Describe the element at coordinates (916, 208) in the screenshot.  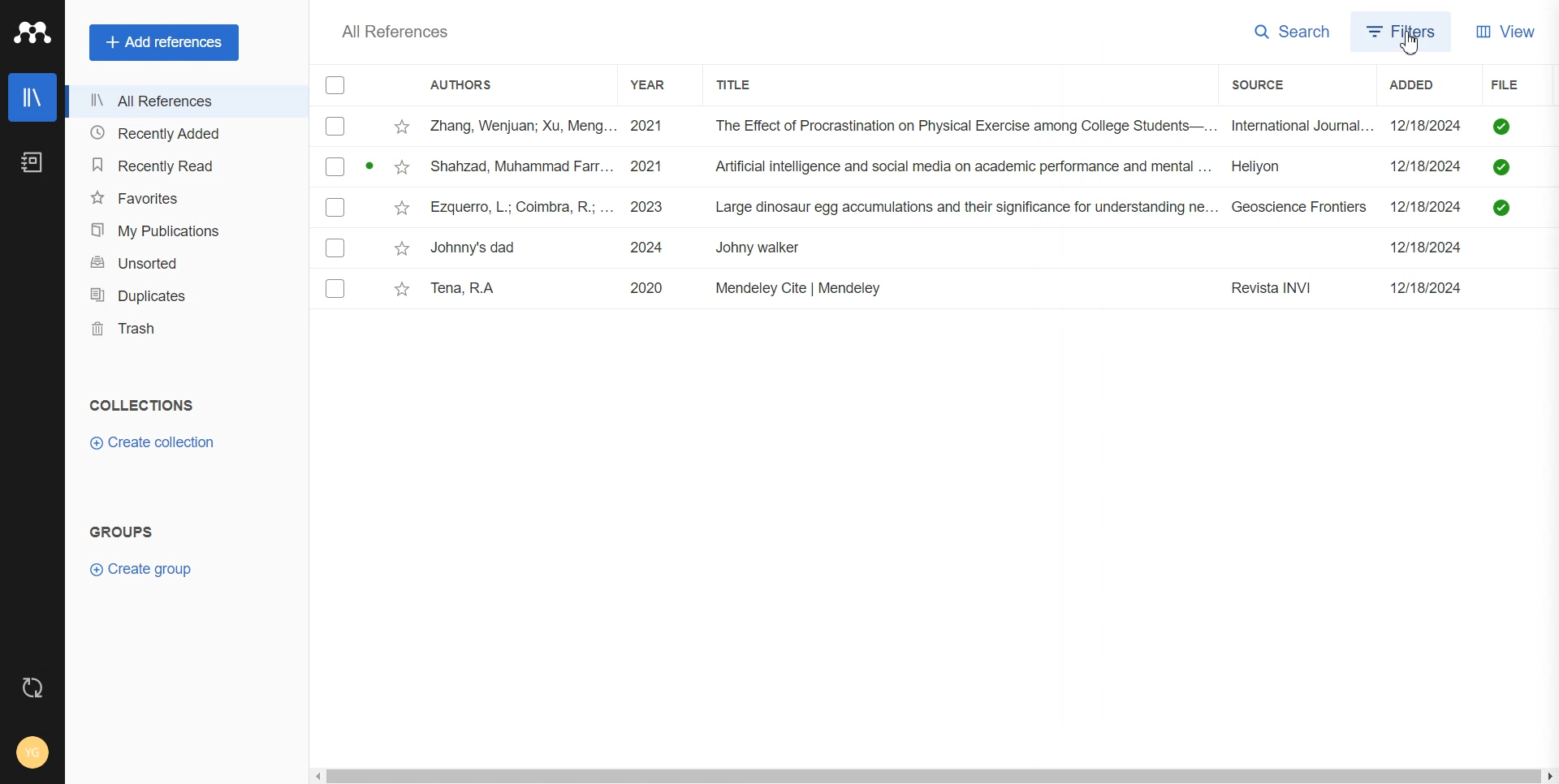
I see `File` at that location.